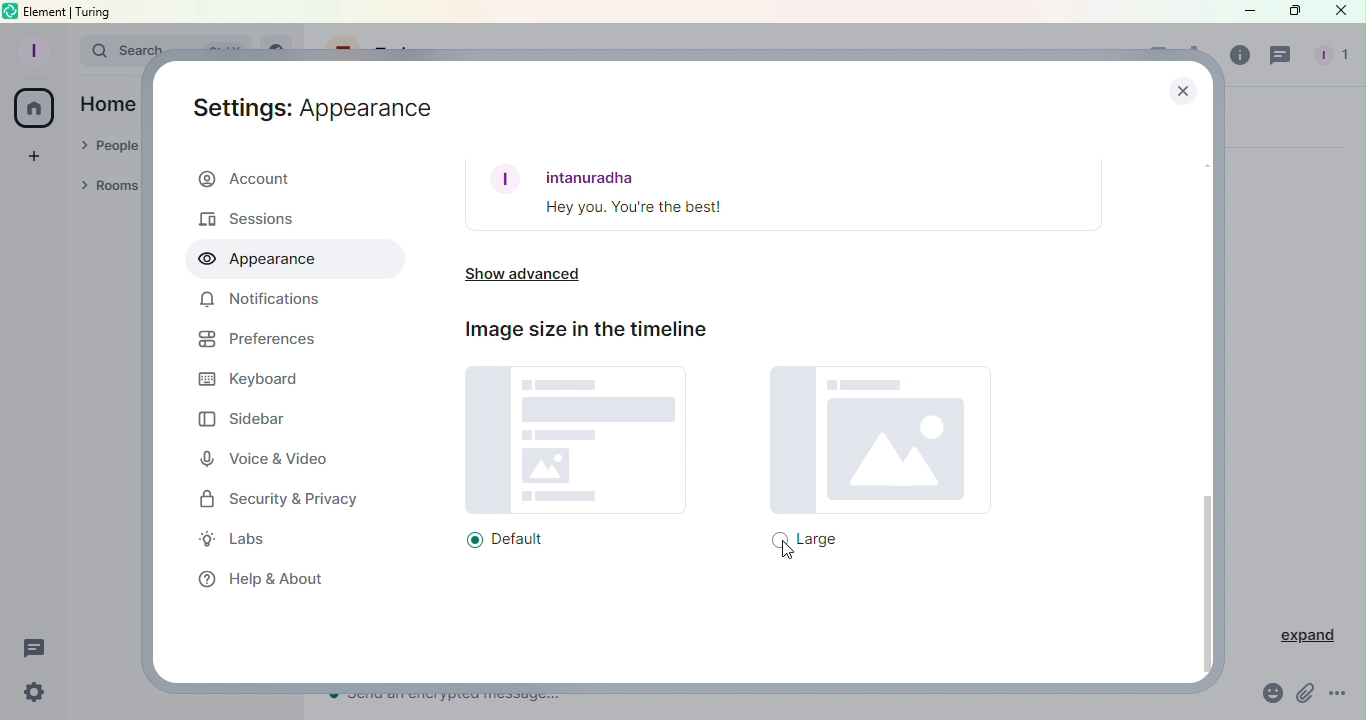  What do you see at coordinates (292, 181) in the screenshot?
I see `Account` at bounding box center [292, 181].